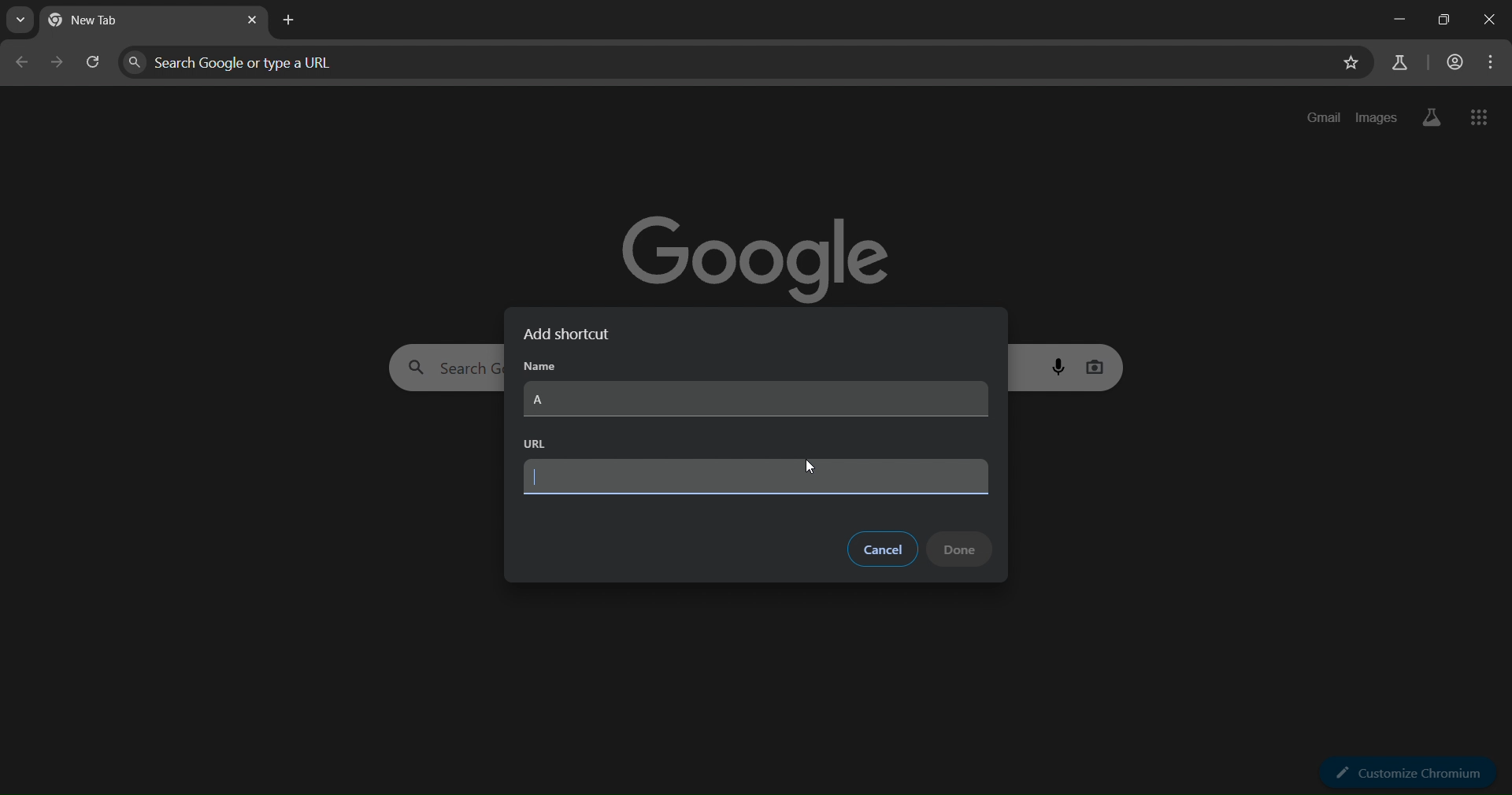 Image resolution: width=1512 pixels, height=795 pixels. What do you see at coordinates (1398, 62) in the screenshot?
I see `search labs` at bounding box center [1398, 62].